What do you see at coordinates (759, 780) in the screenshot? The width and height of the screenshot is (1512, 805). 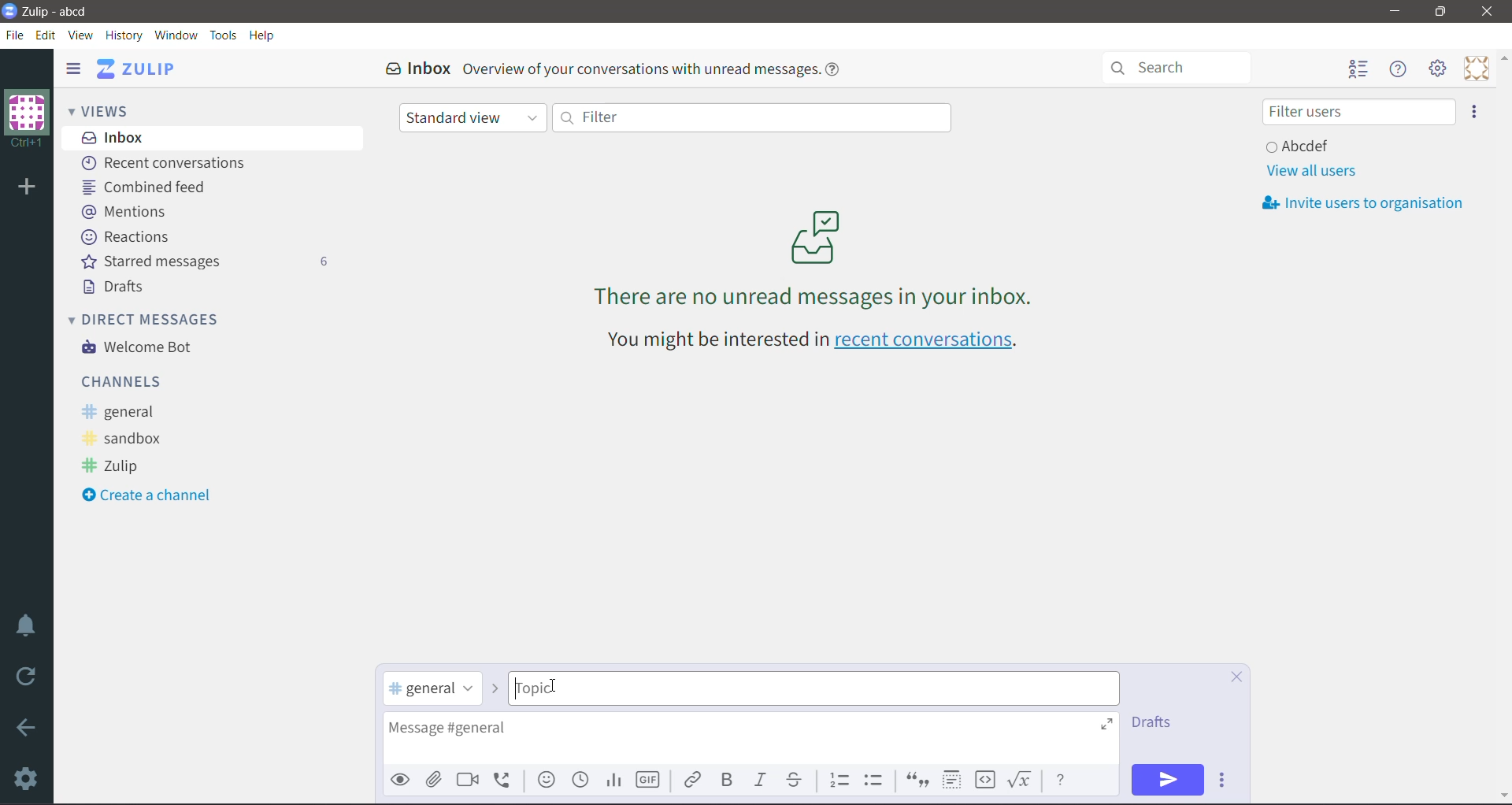 I see `Italic` at bounding box center [759, 780].